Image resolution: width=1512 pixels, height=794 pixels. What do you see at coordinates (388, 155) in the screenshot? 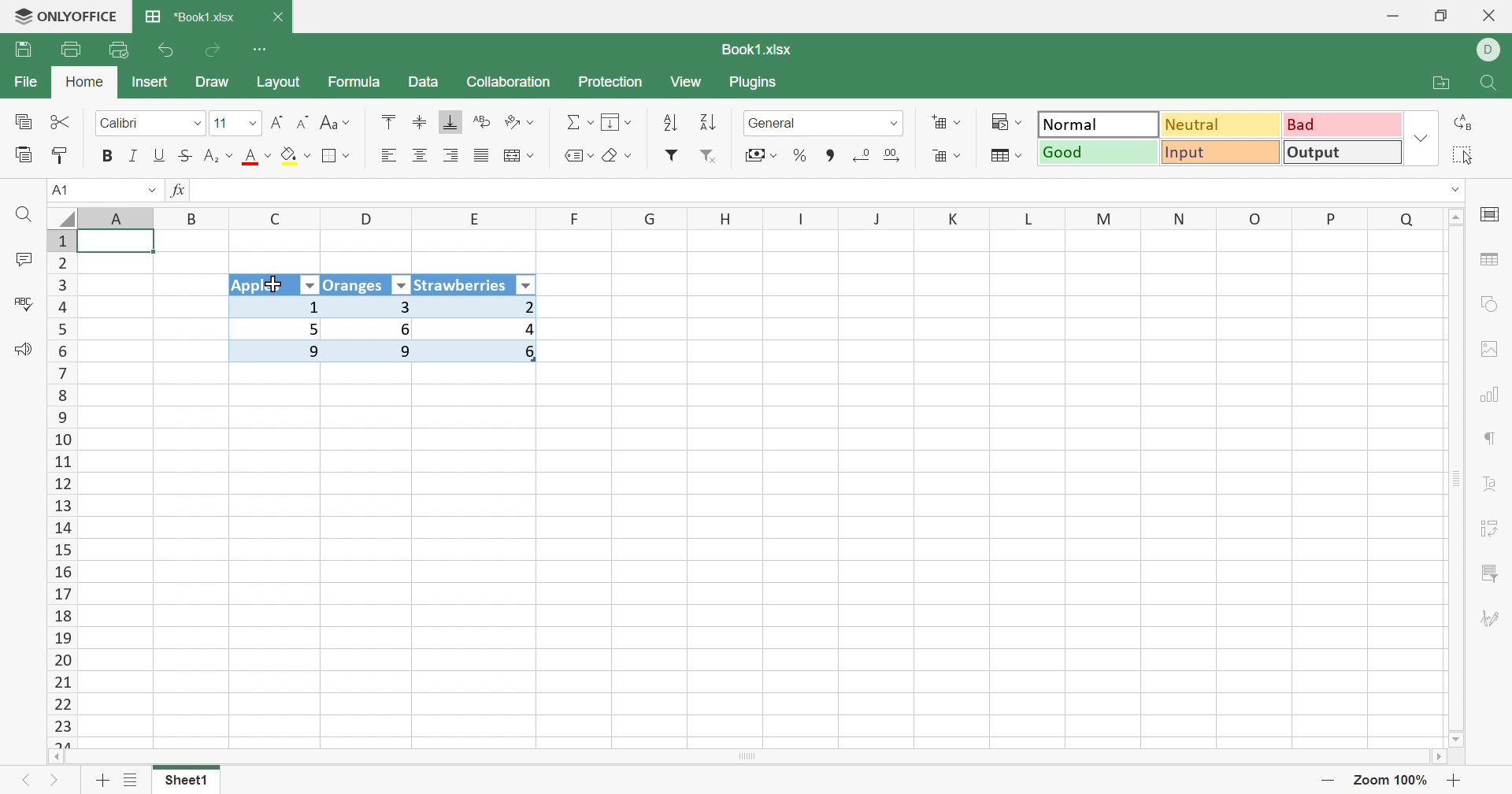
I see `Align Right` at bounding box center [388, 155].